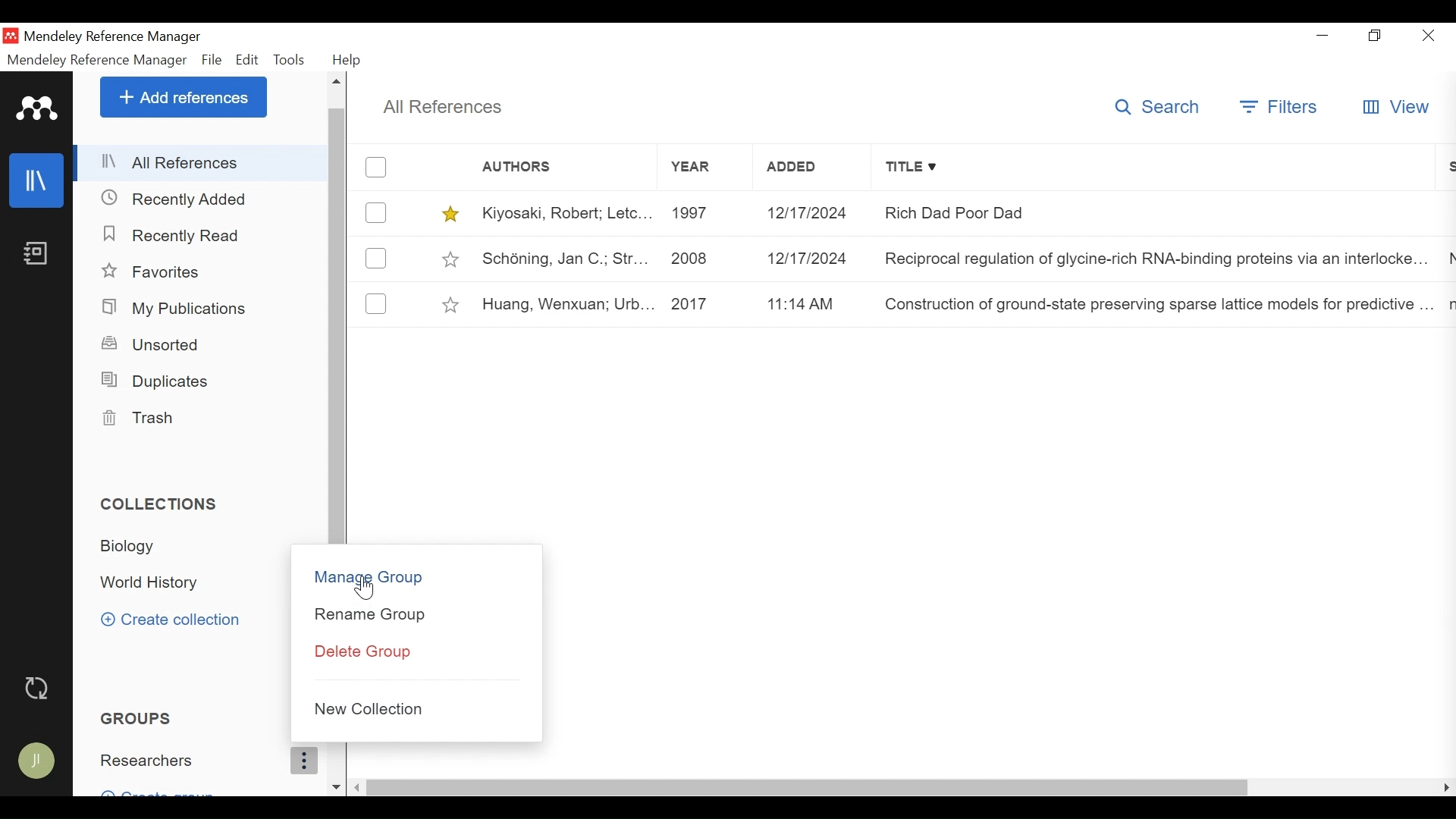  I want to click on Search, so click(1154, 108).